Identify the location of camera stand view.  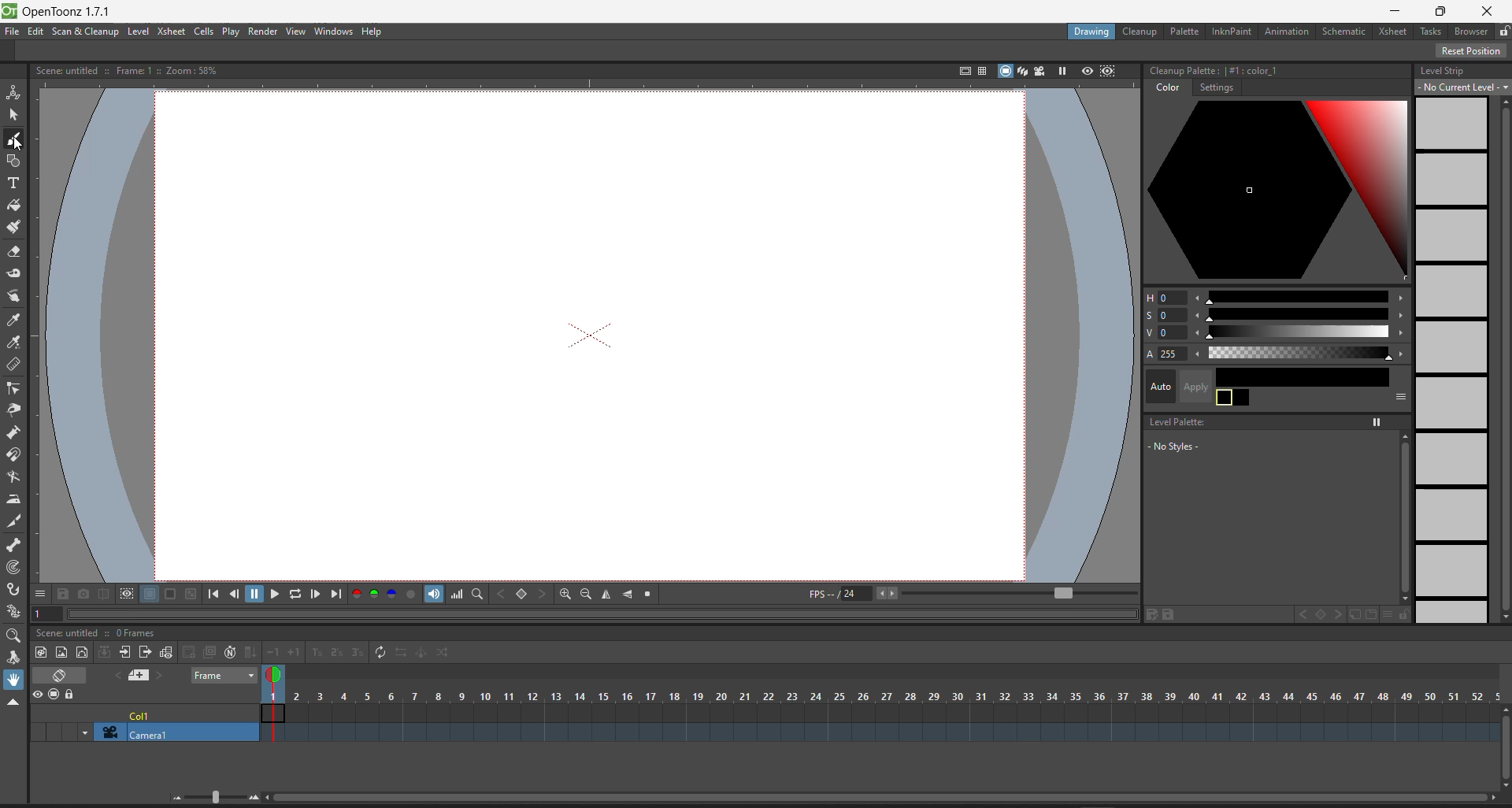
(1000, 70).